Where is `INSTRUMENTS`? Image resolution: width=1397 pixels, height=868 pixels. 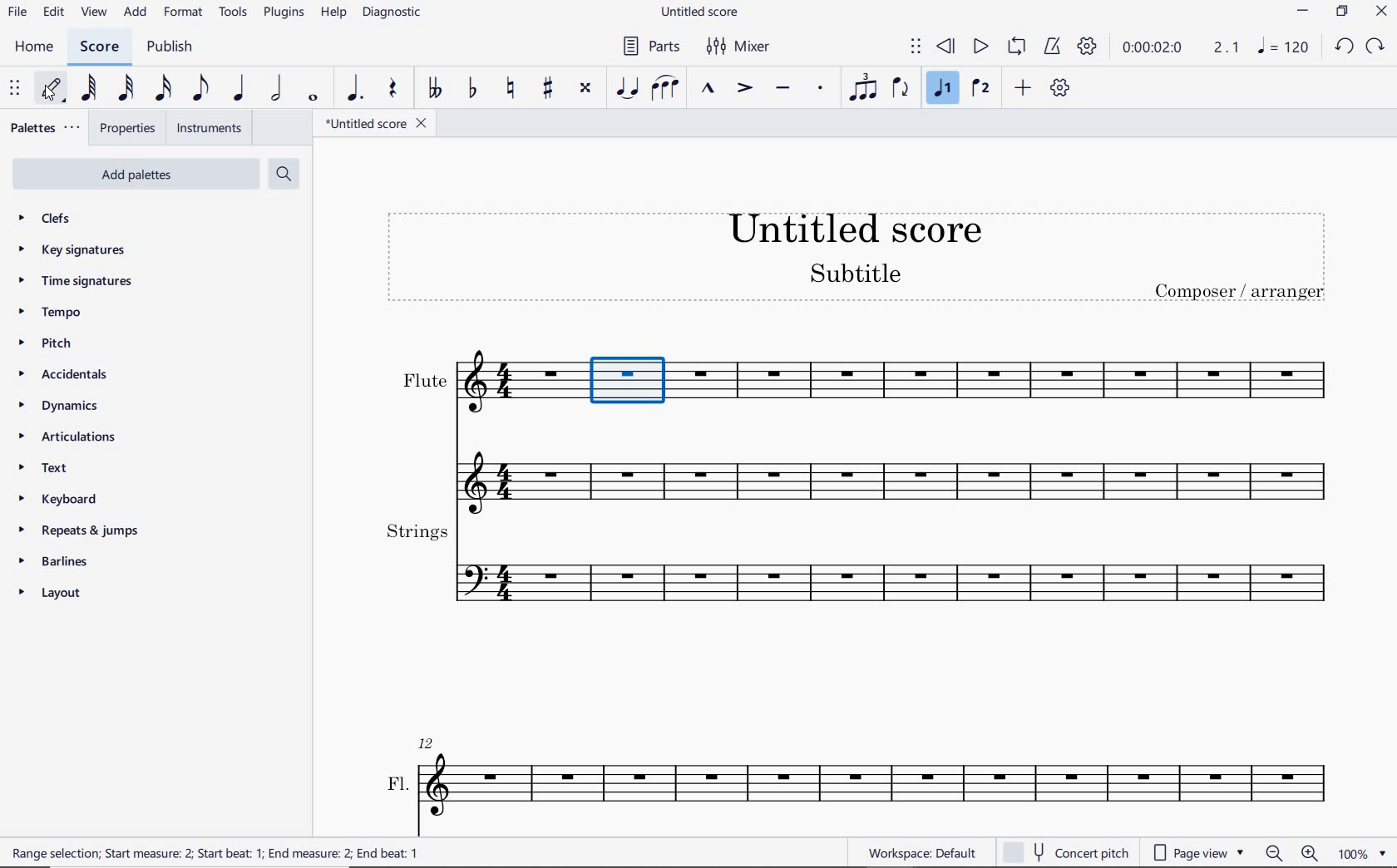
INSTRUMENTS is located at coordinates (211, 130).